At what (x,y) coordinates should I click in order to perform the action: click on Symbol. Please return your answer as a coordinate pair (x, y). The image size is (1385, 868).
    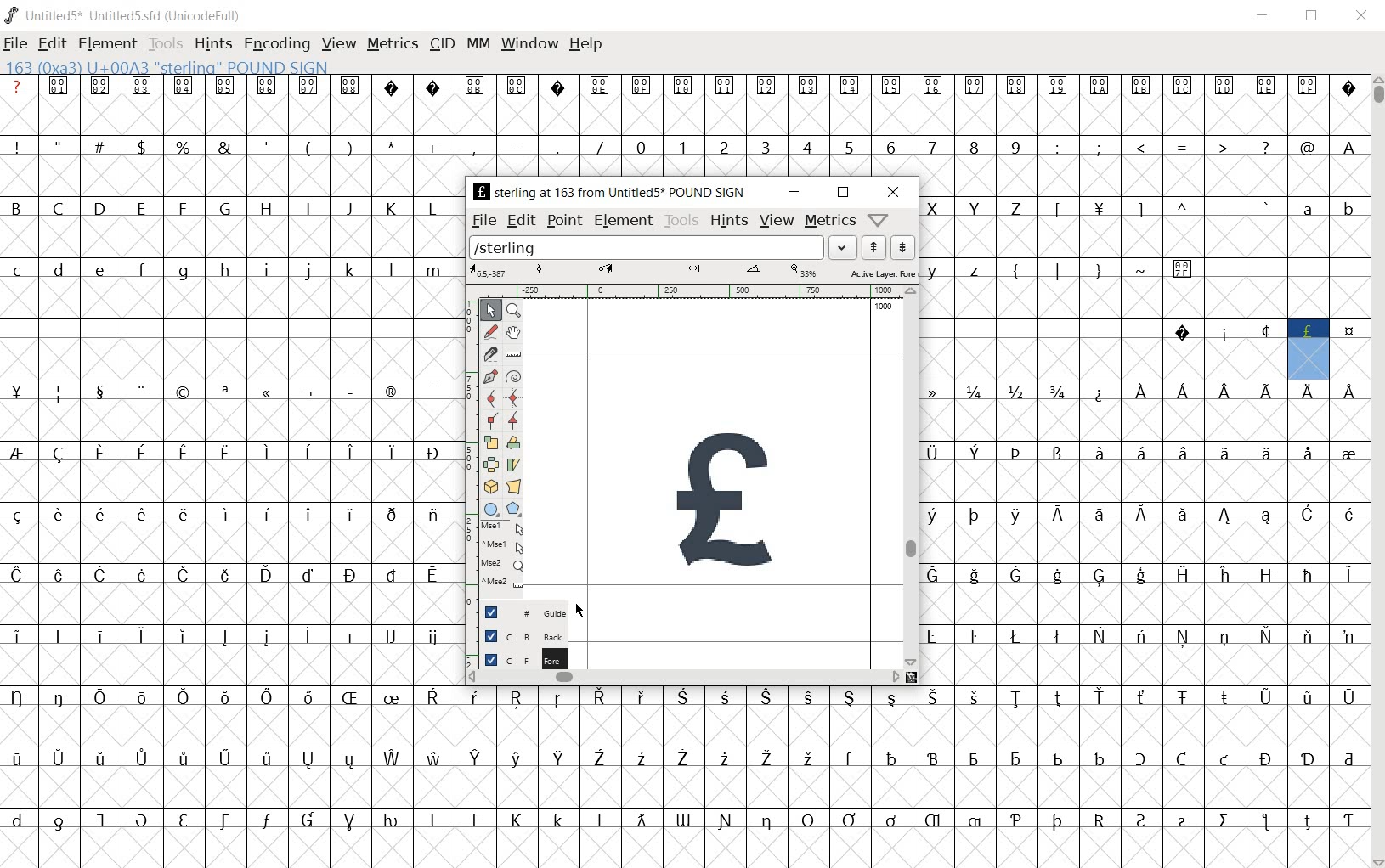
    Looking at the image, I should click on (1099, 757).